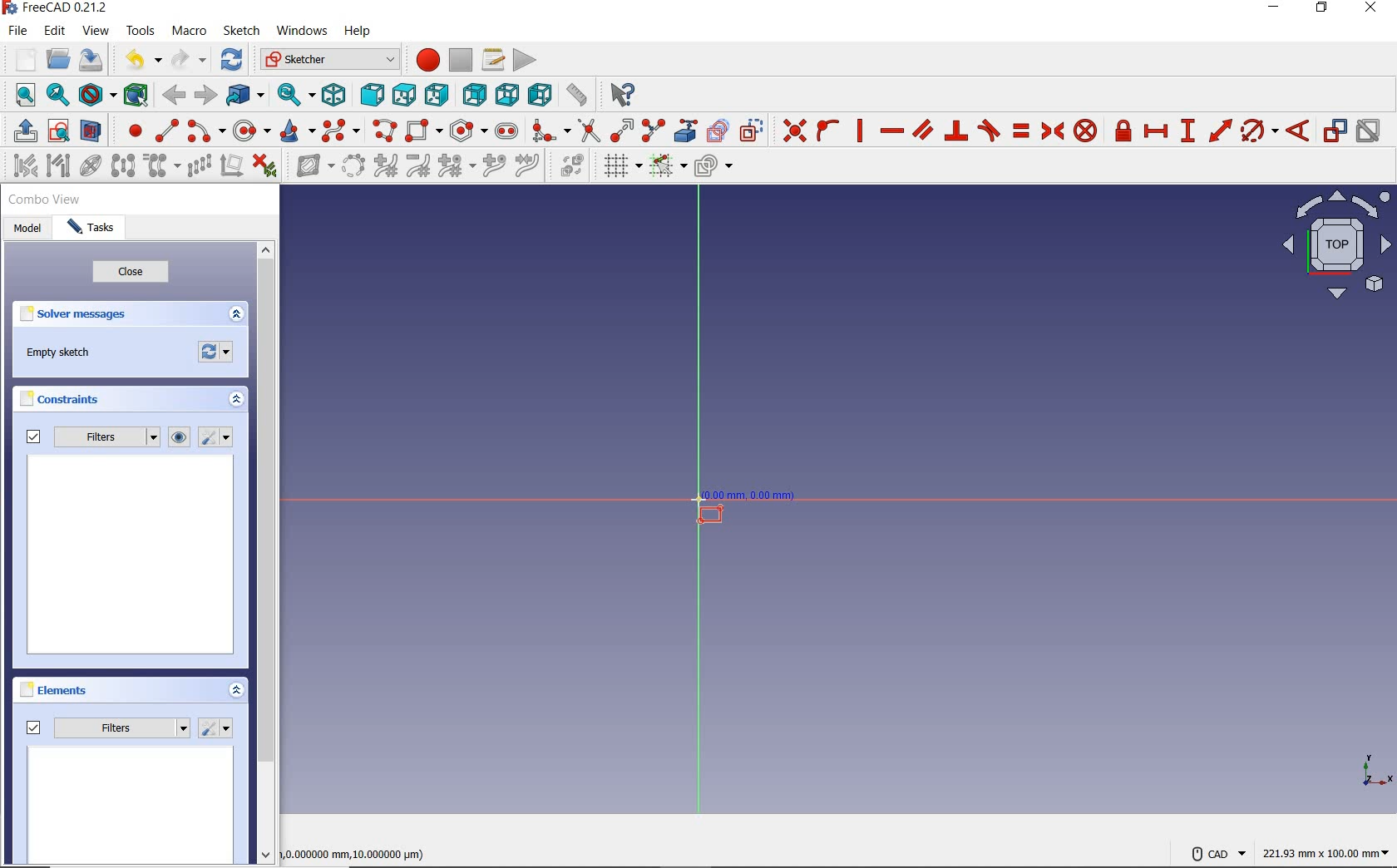 The image size is (1397, 868). I want to click on file, so click(20, 32).